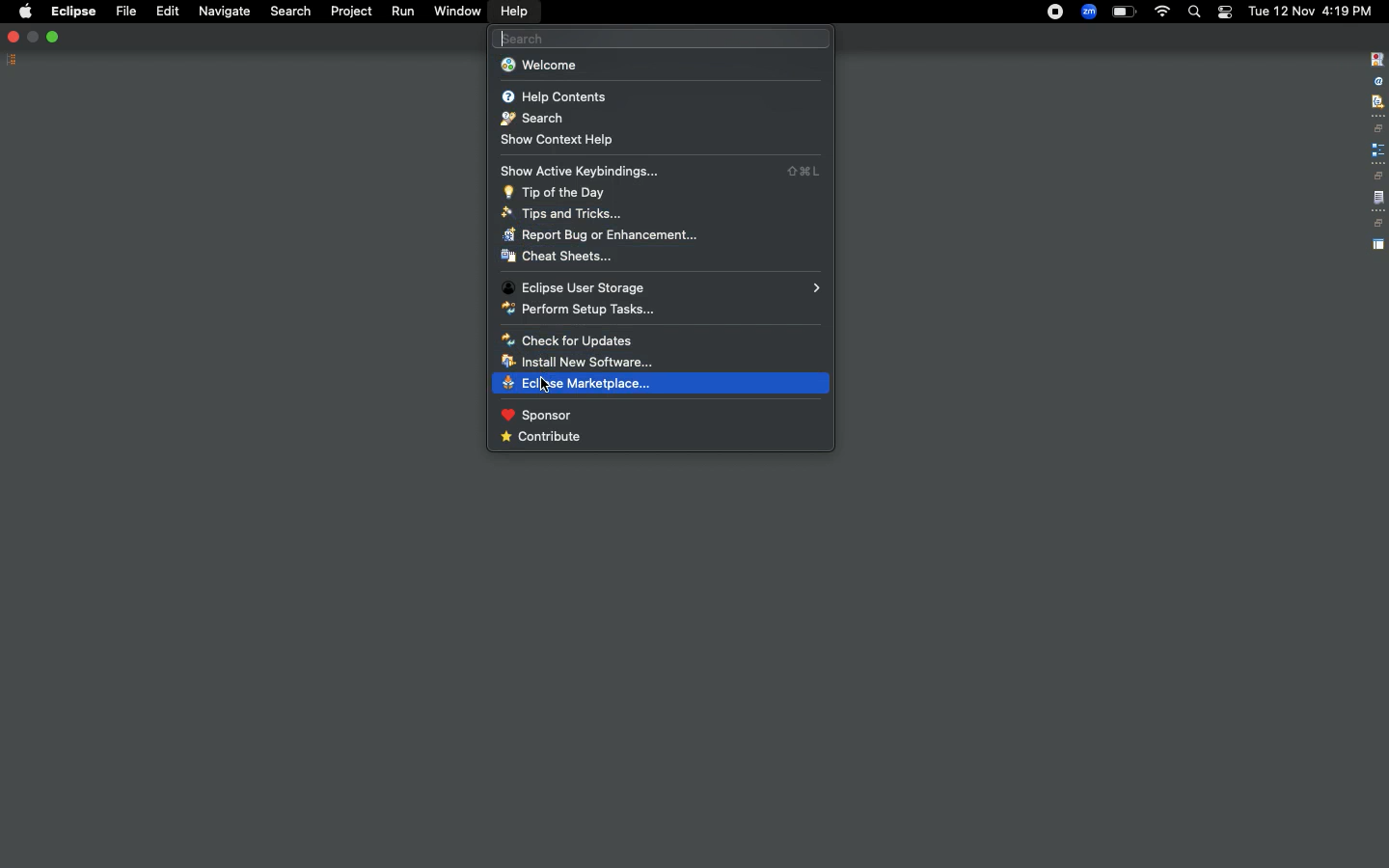  What do you see at coordinates (24, 12) in the screenshot?
I see `Apple logo` at bounding box center [24, 12].